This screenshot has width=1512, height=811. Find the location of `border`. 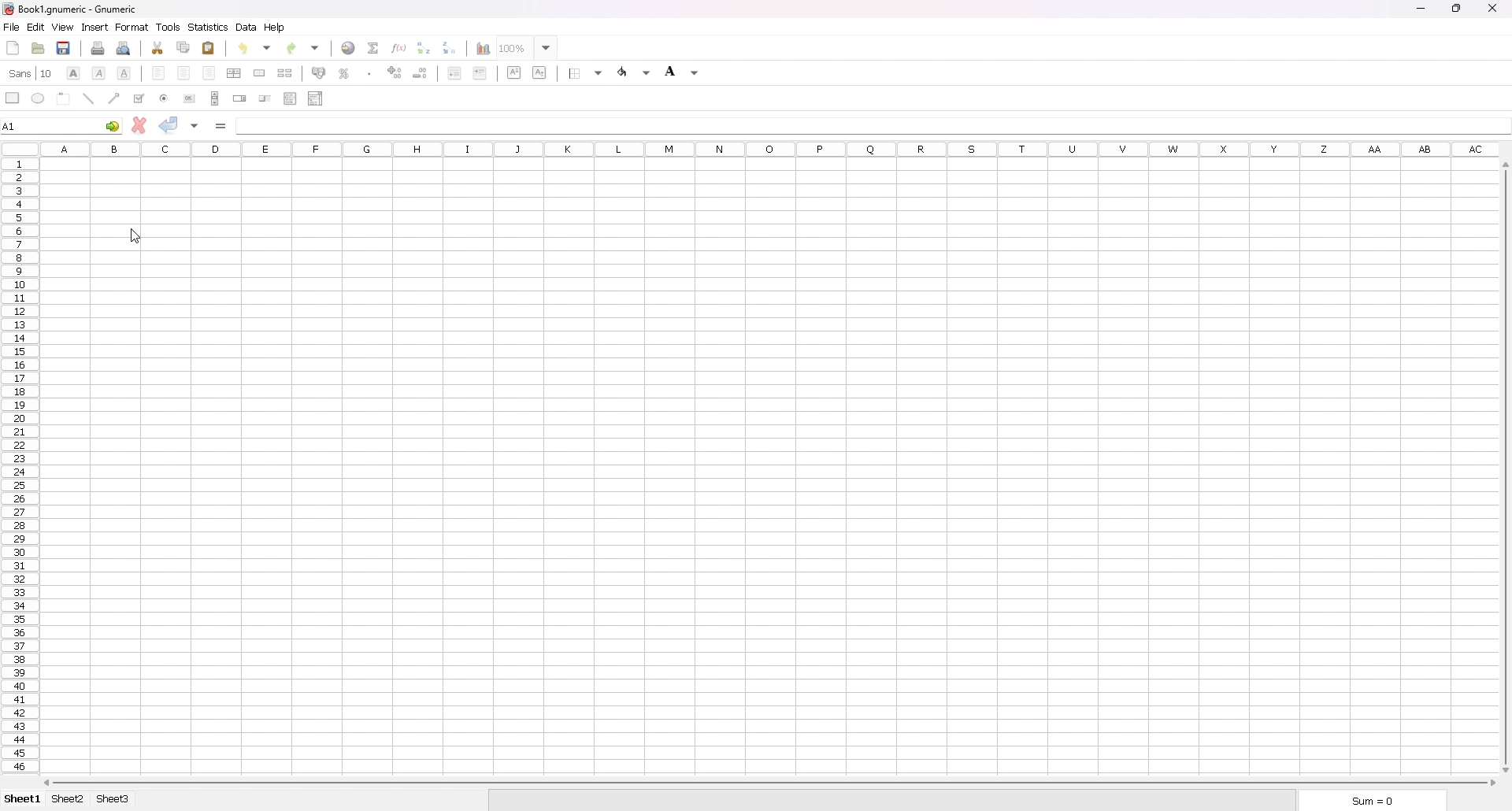

border is located at coordinates (587, 74).